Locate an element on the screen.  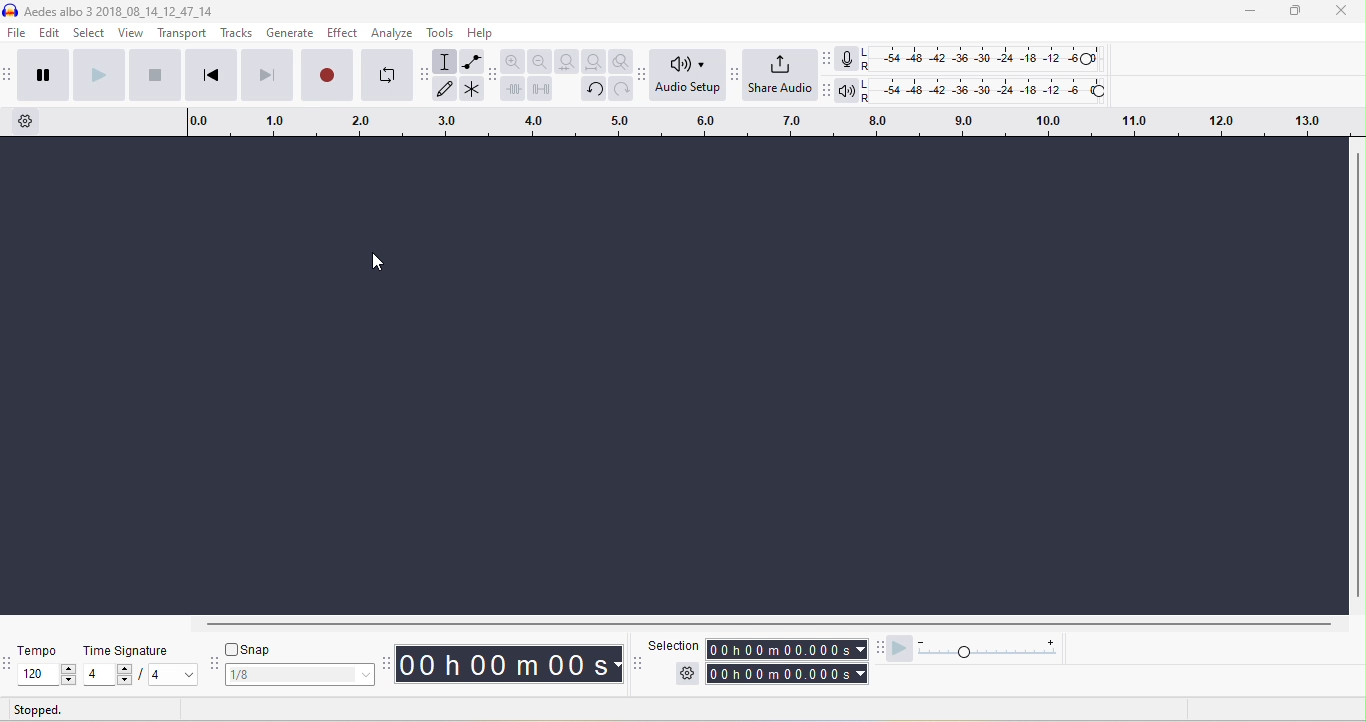
tempo is located at coordinates (40, 652).